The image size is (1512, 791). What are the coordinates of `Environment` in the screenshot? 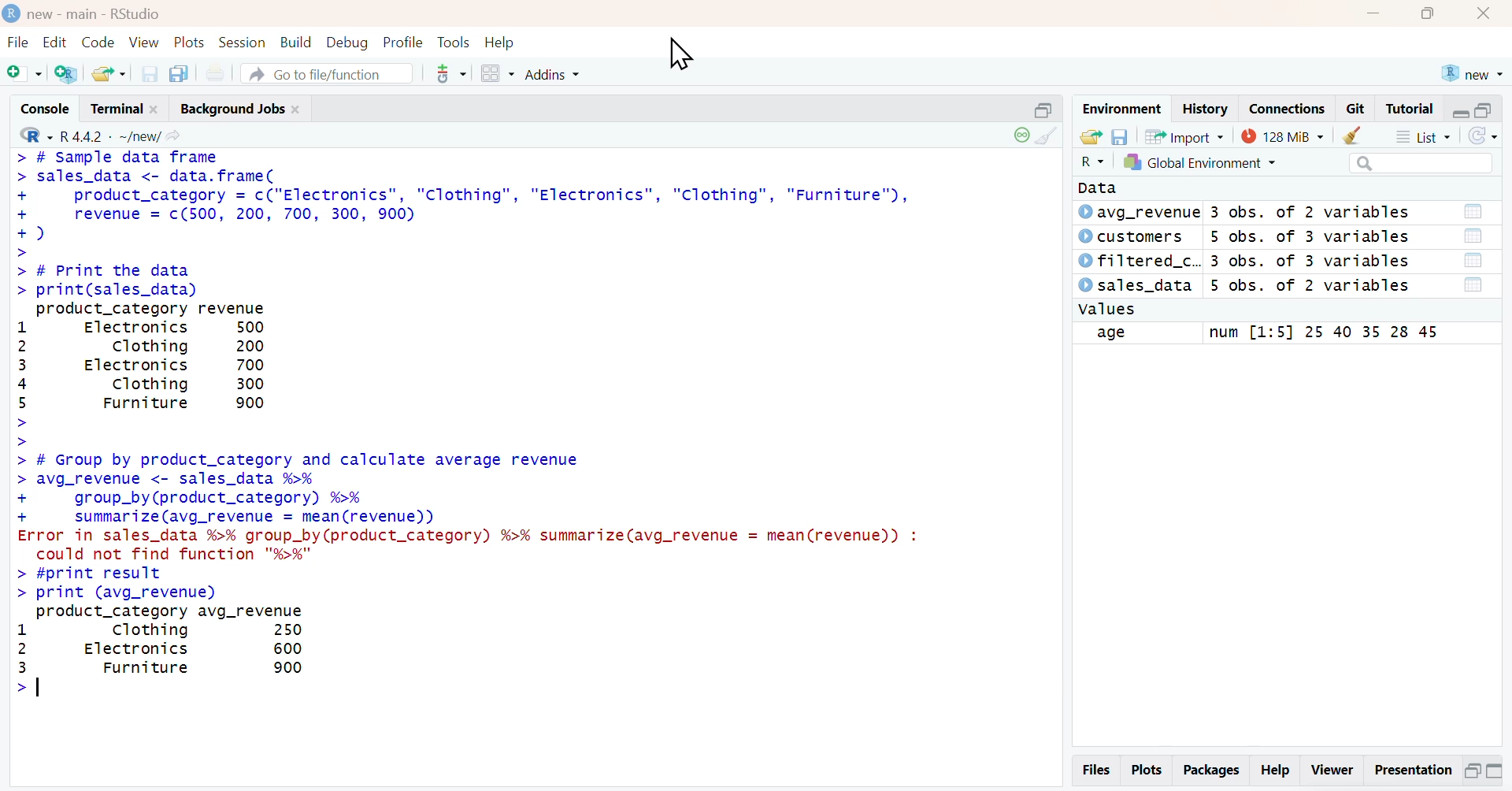 It's located at (1122, 109).